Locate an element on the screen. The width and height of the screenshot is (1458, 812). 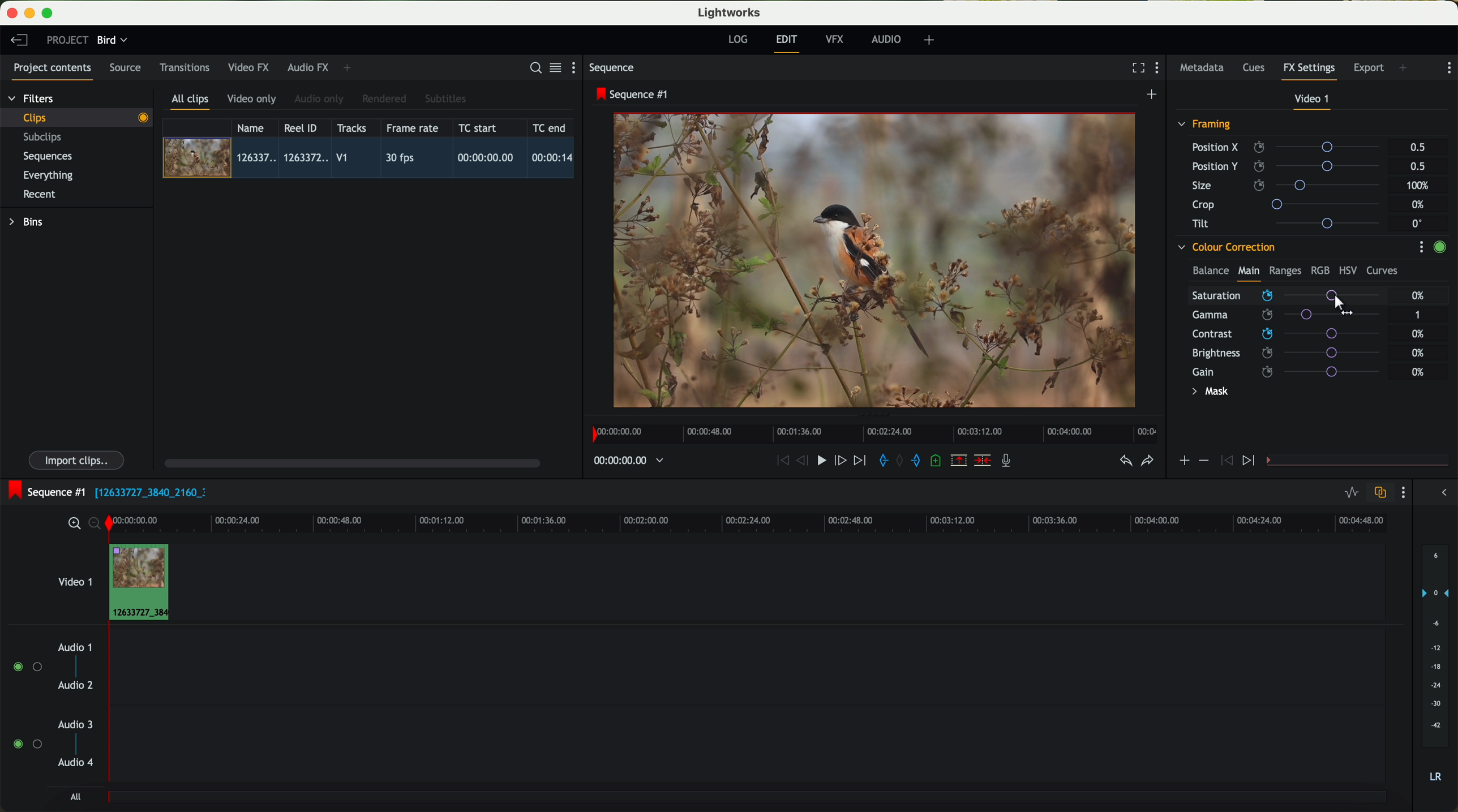
add 'out' mark is located at coordinates (921, 459).